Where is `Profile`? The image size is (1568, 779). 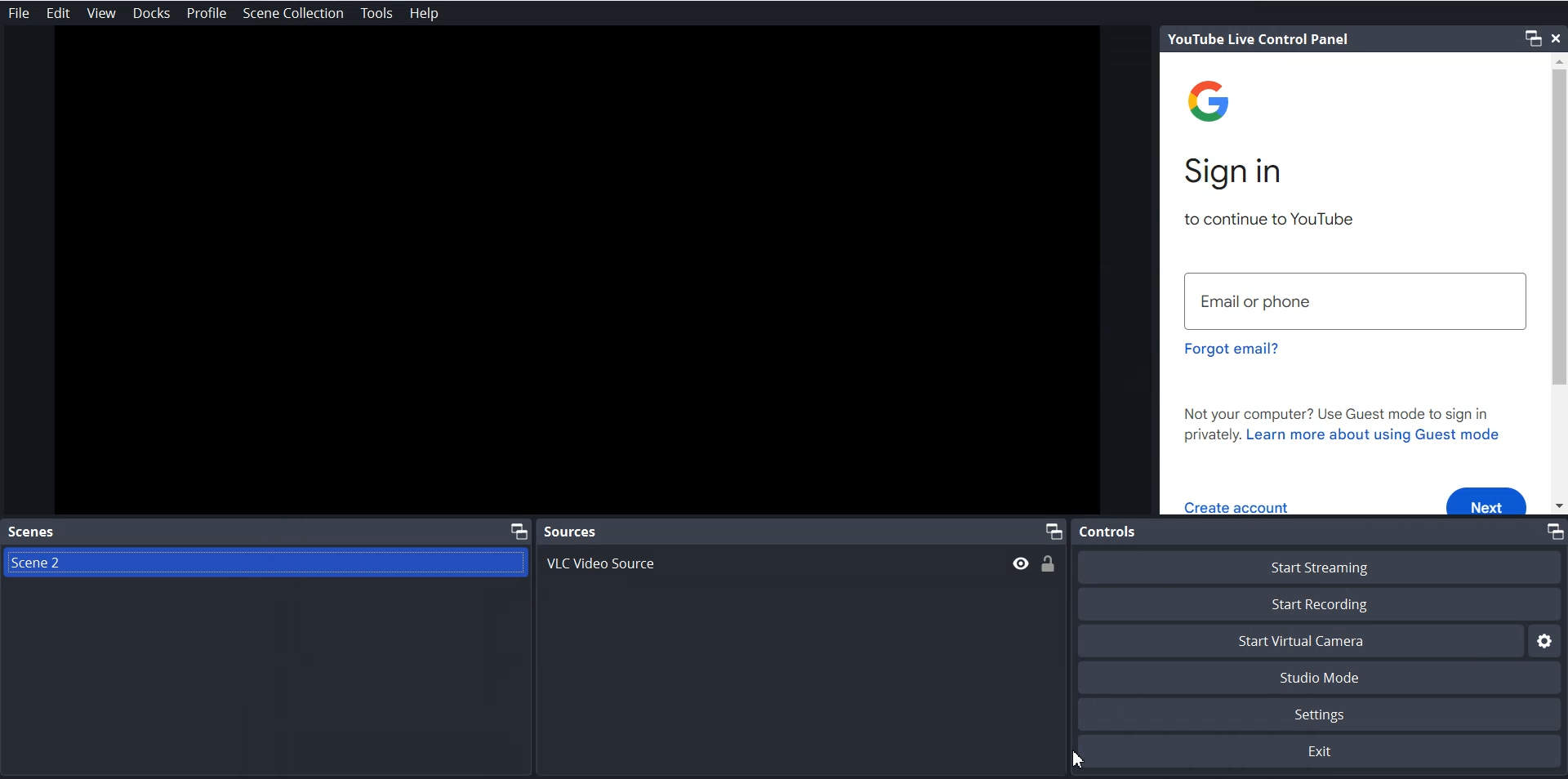
Profile is located at coordinates (207, 13).